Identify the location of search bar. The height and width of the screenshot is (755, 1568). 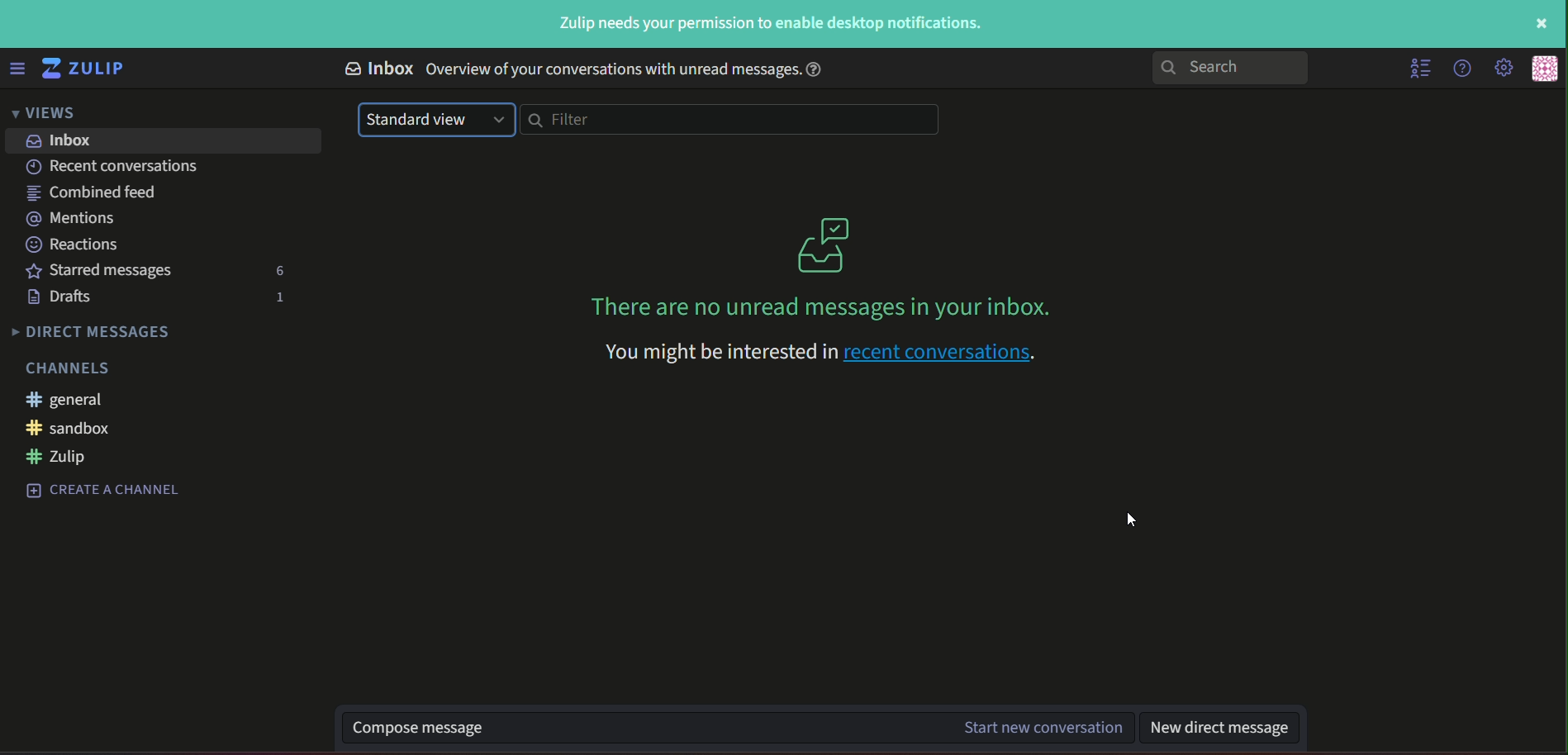
(1230, 68).